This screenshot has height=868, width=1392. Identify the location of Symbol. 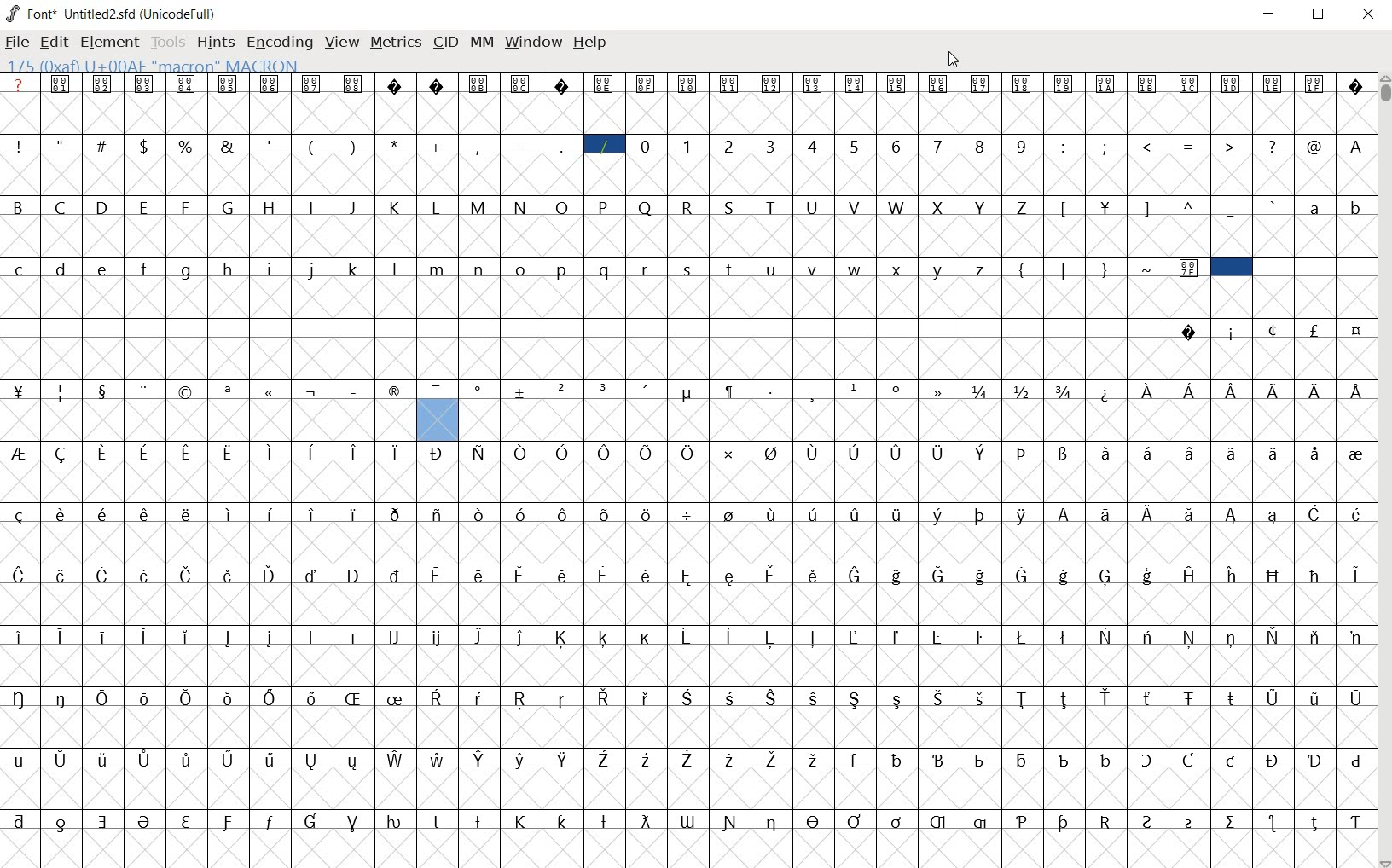
(520, 453).